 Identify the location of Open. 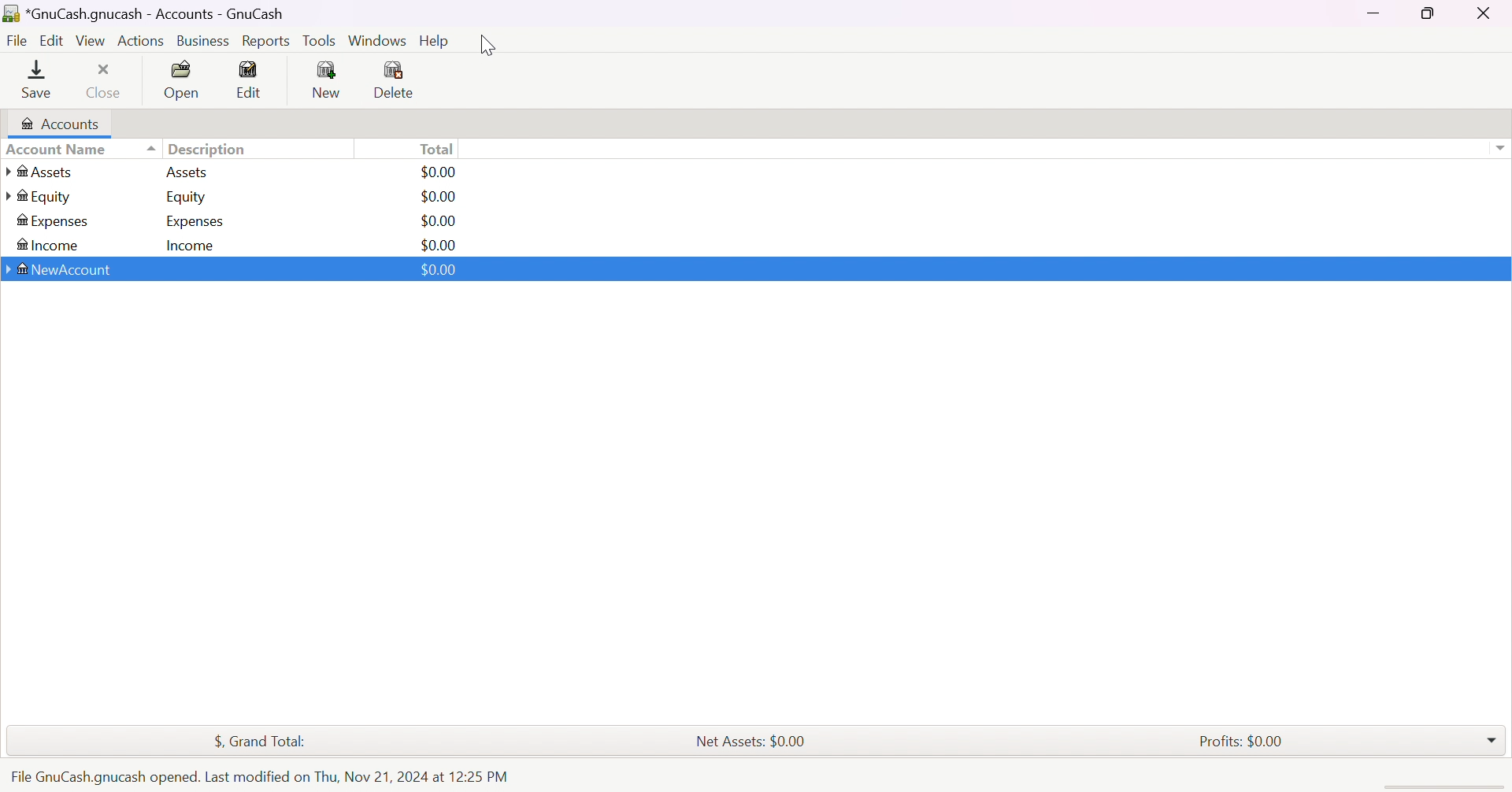
(185, 81).